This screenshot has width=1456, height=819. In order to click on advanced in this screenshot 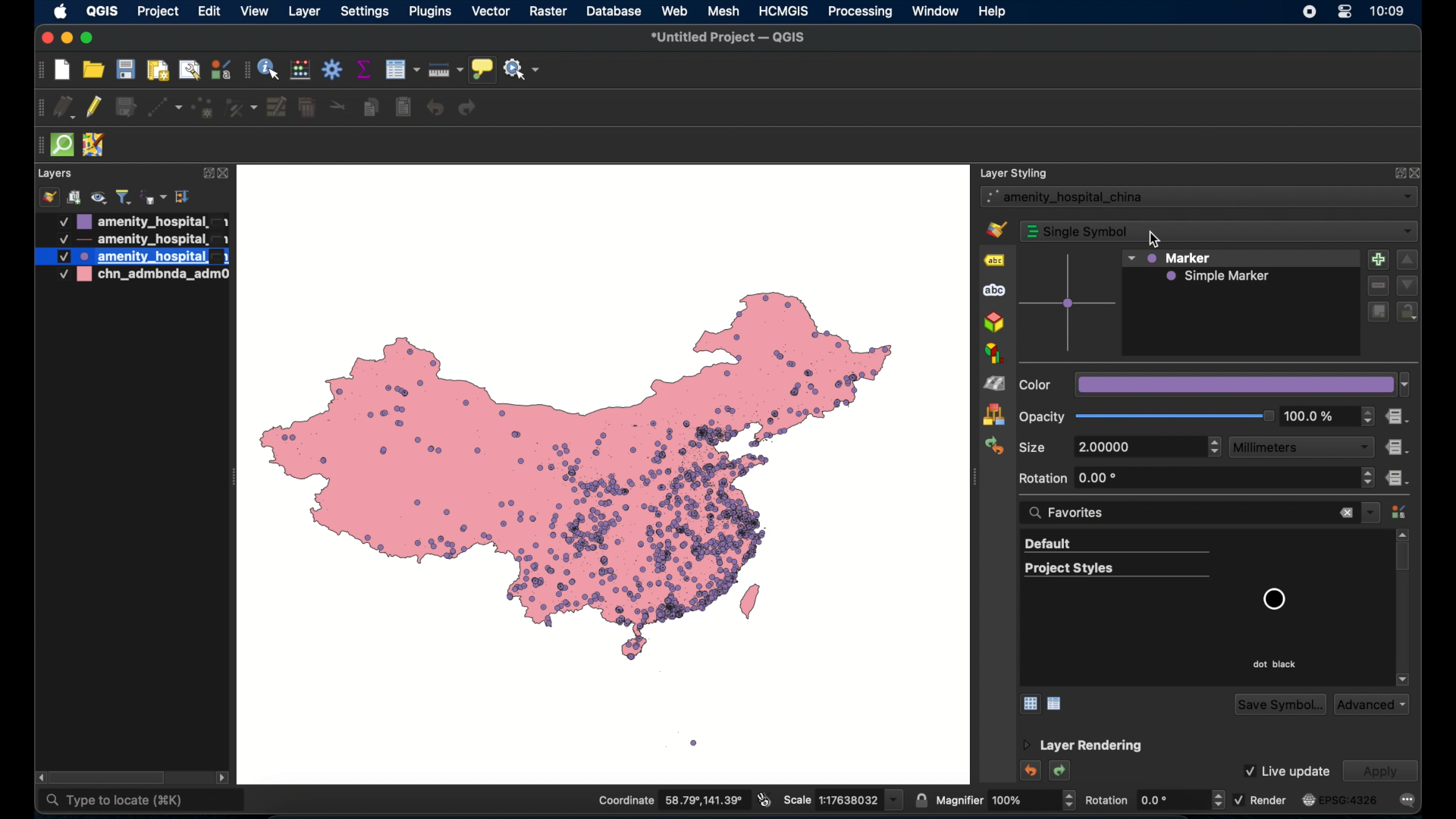, I will do `click(1371, 704)`.